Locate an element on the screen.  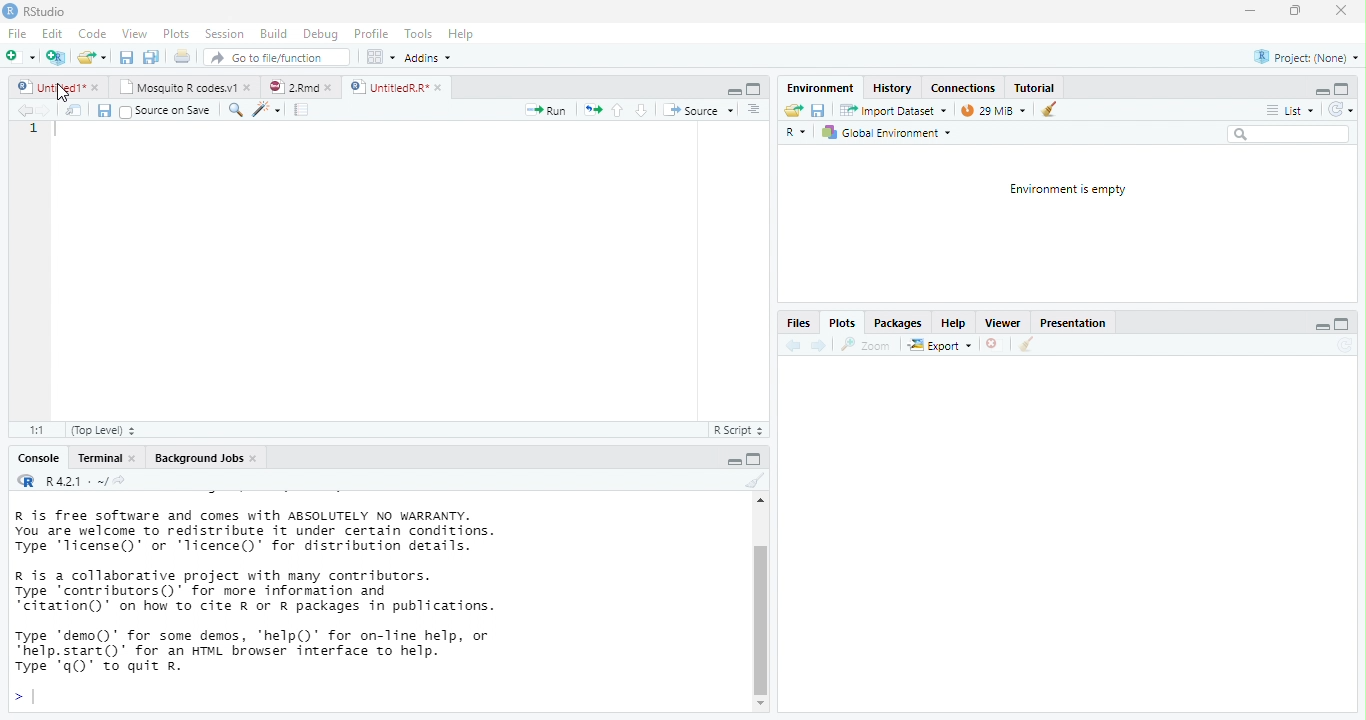
scrollbar down is located at coordinates (761, 704).